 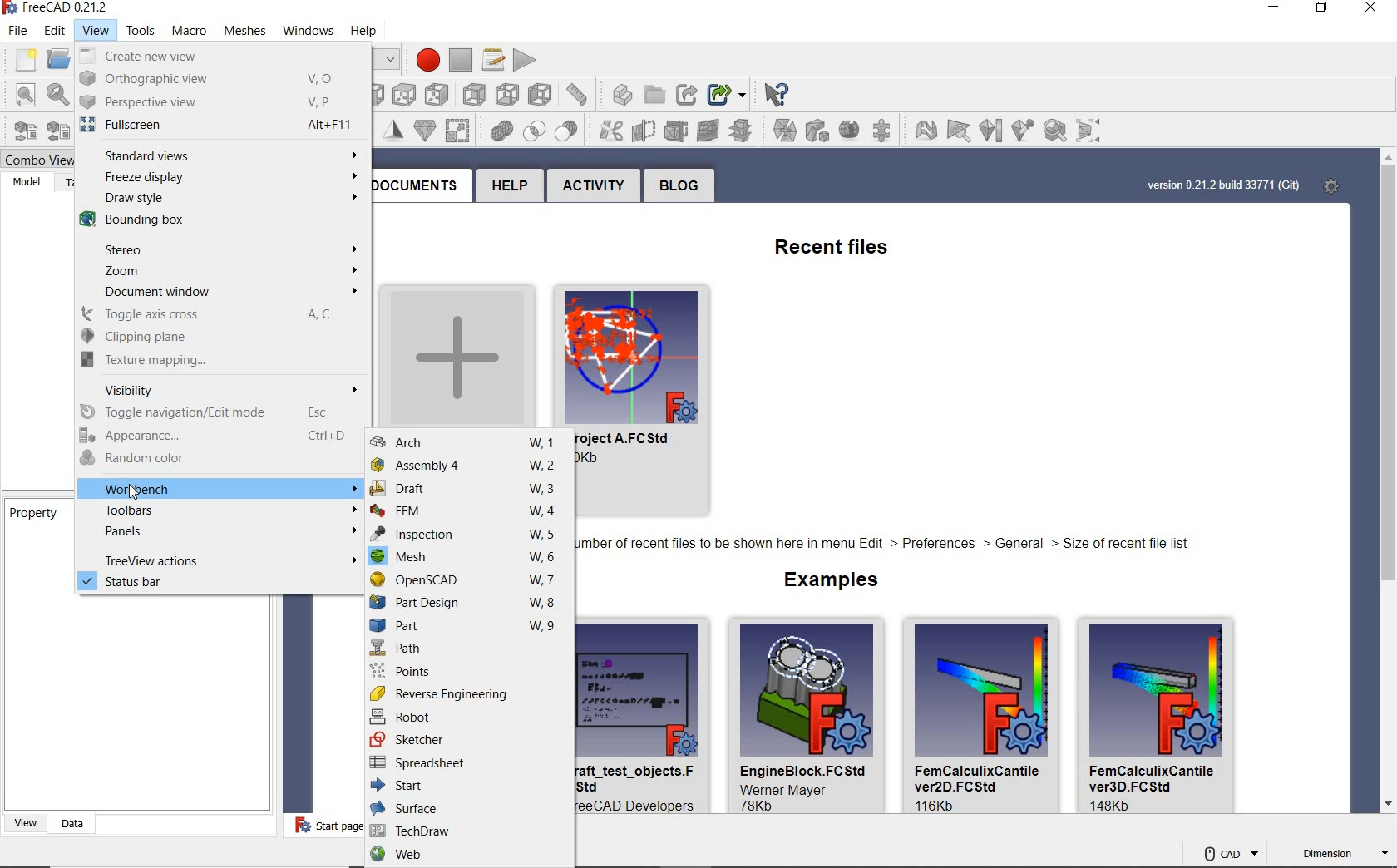 What do you see at coordinates (318, 826) in the screenshot?
I see `start page` at bounding box center [318, 826].